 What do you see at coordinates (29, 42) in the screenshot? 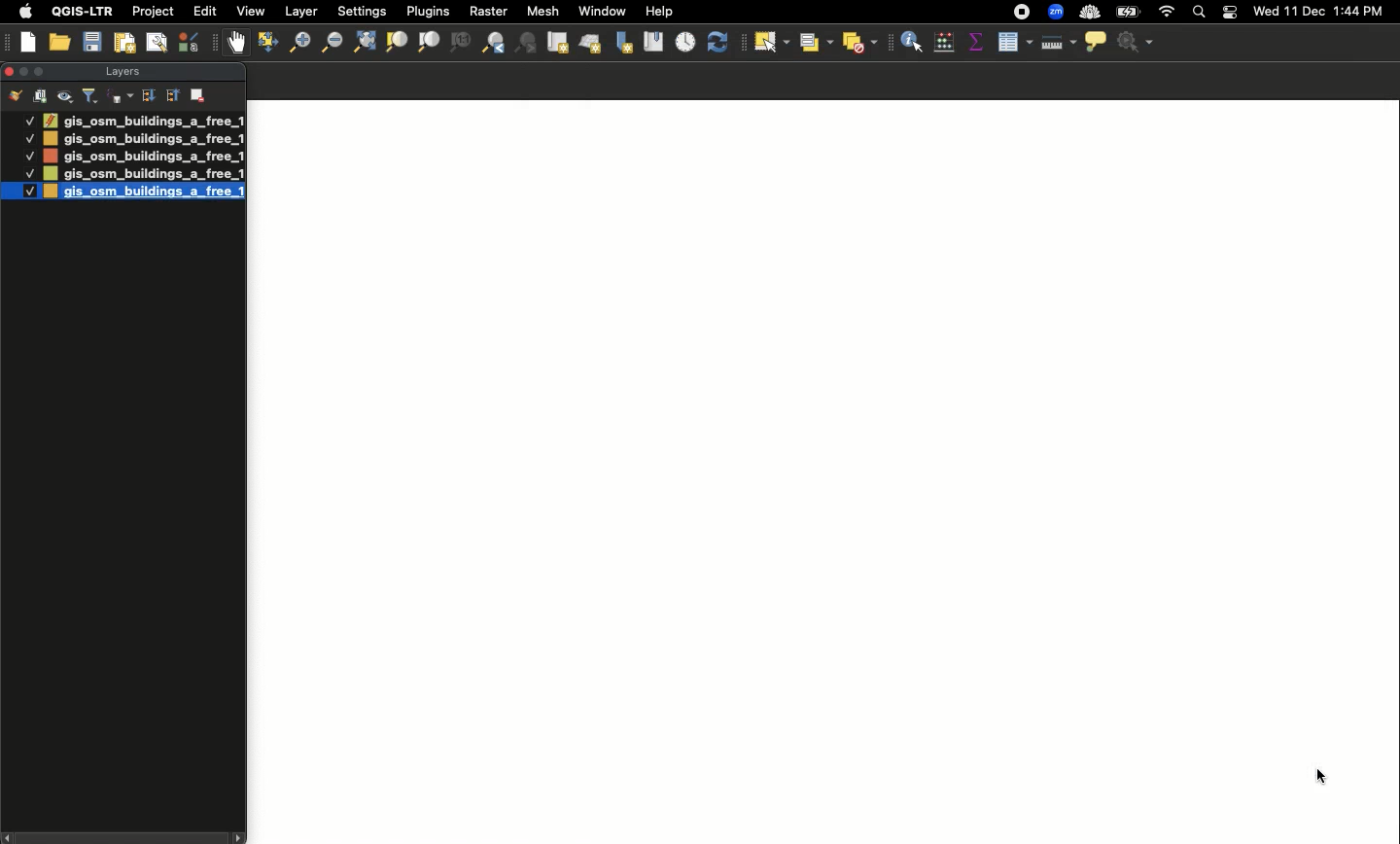
I see `New` at bounding box center [29, 42].